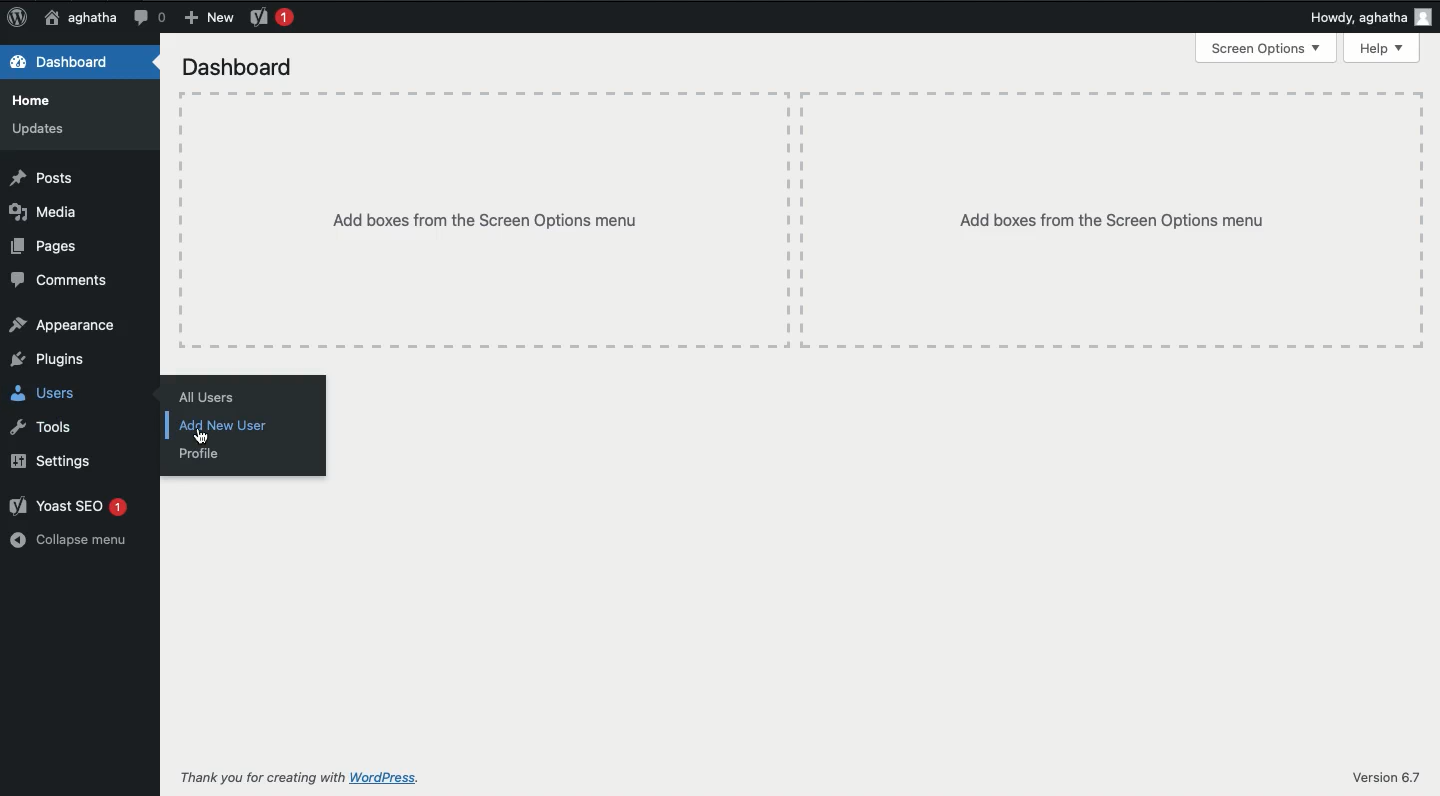  I want to click on Media, so click(46, 212).